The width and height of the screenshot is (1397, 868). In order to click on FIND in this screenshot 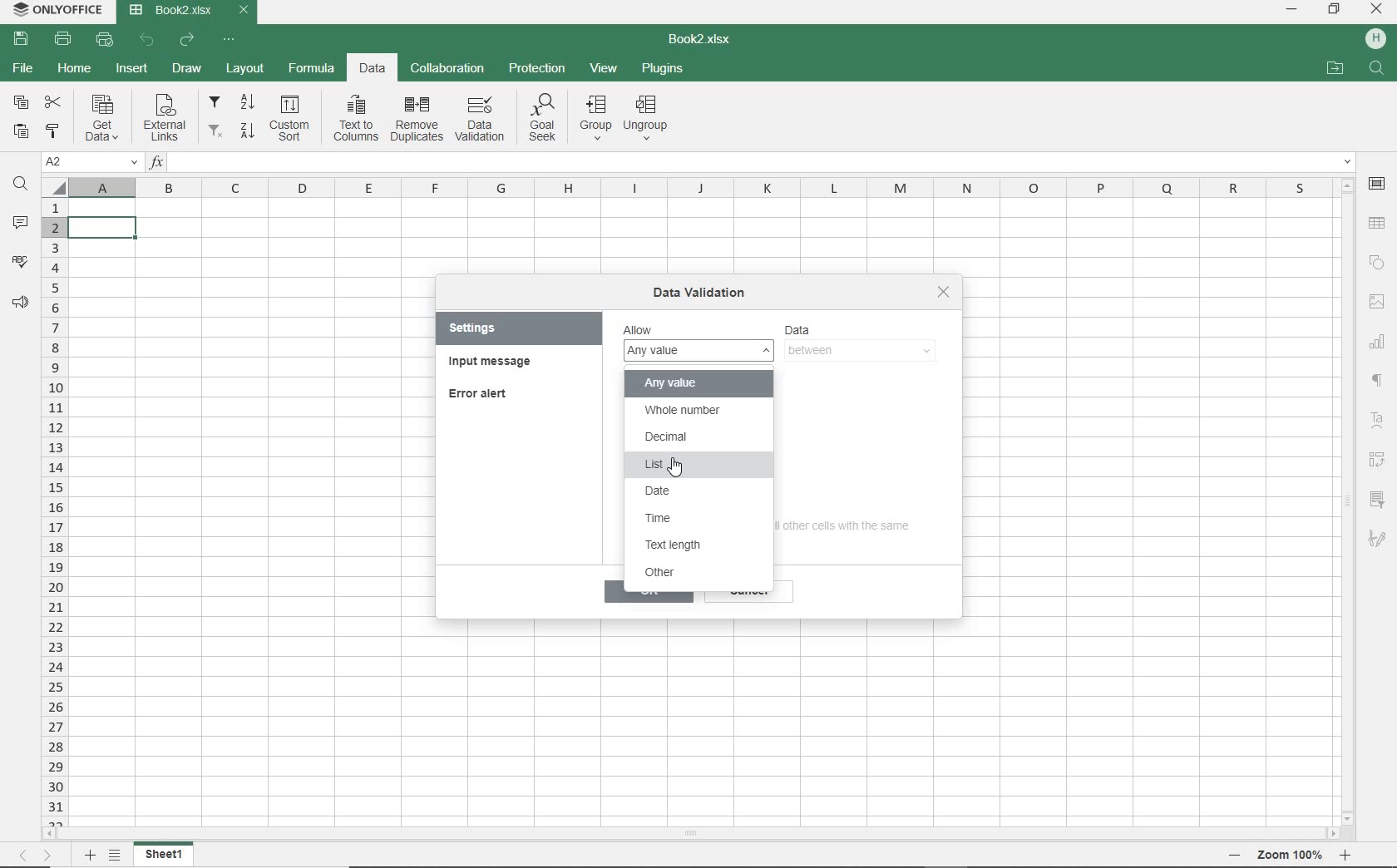, I will do `click(1378, 70)`.